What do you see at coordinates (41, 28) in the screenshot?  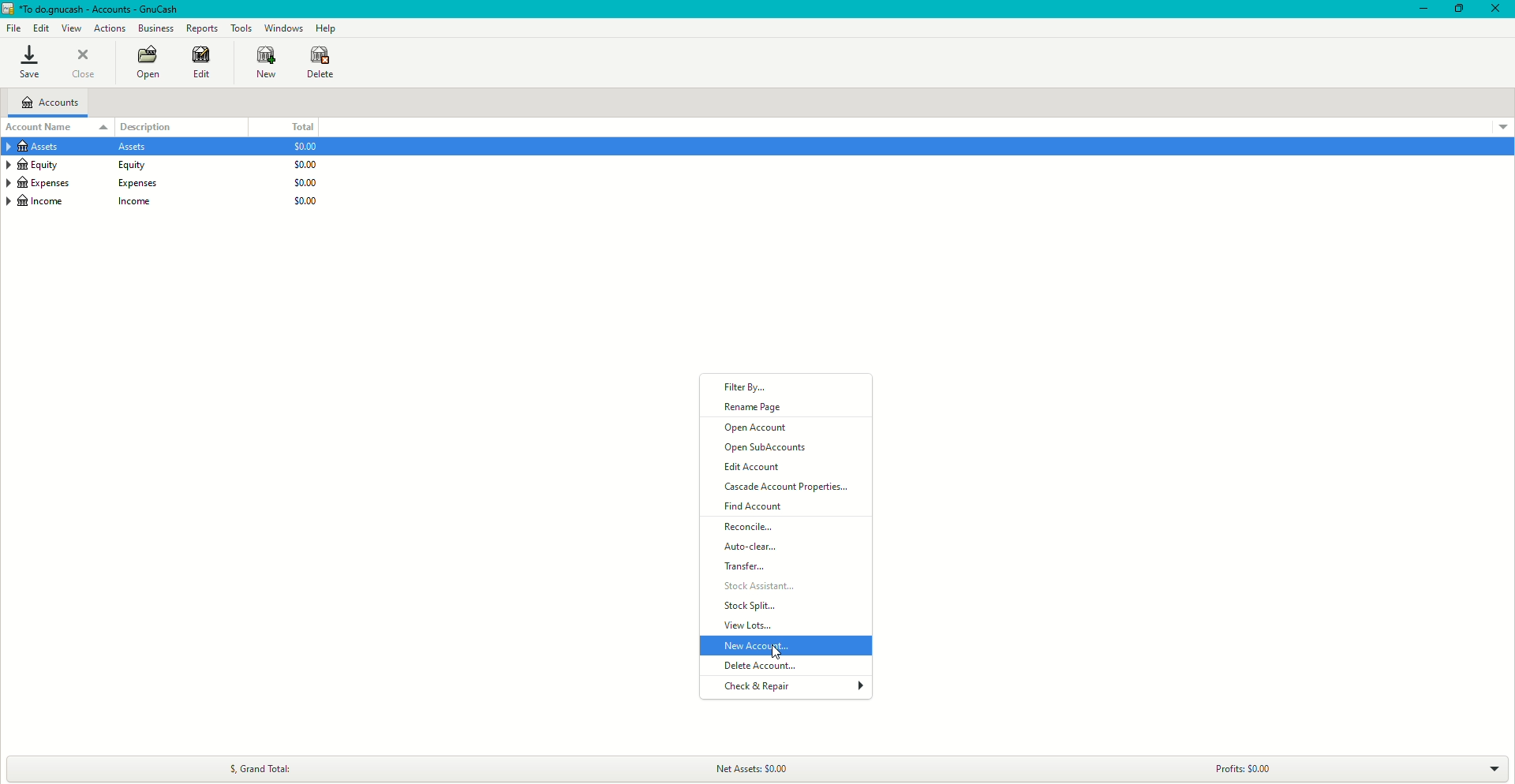 I see `Edit` at bounding box center [41, 28].